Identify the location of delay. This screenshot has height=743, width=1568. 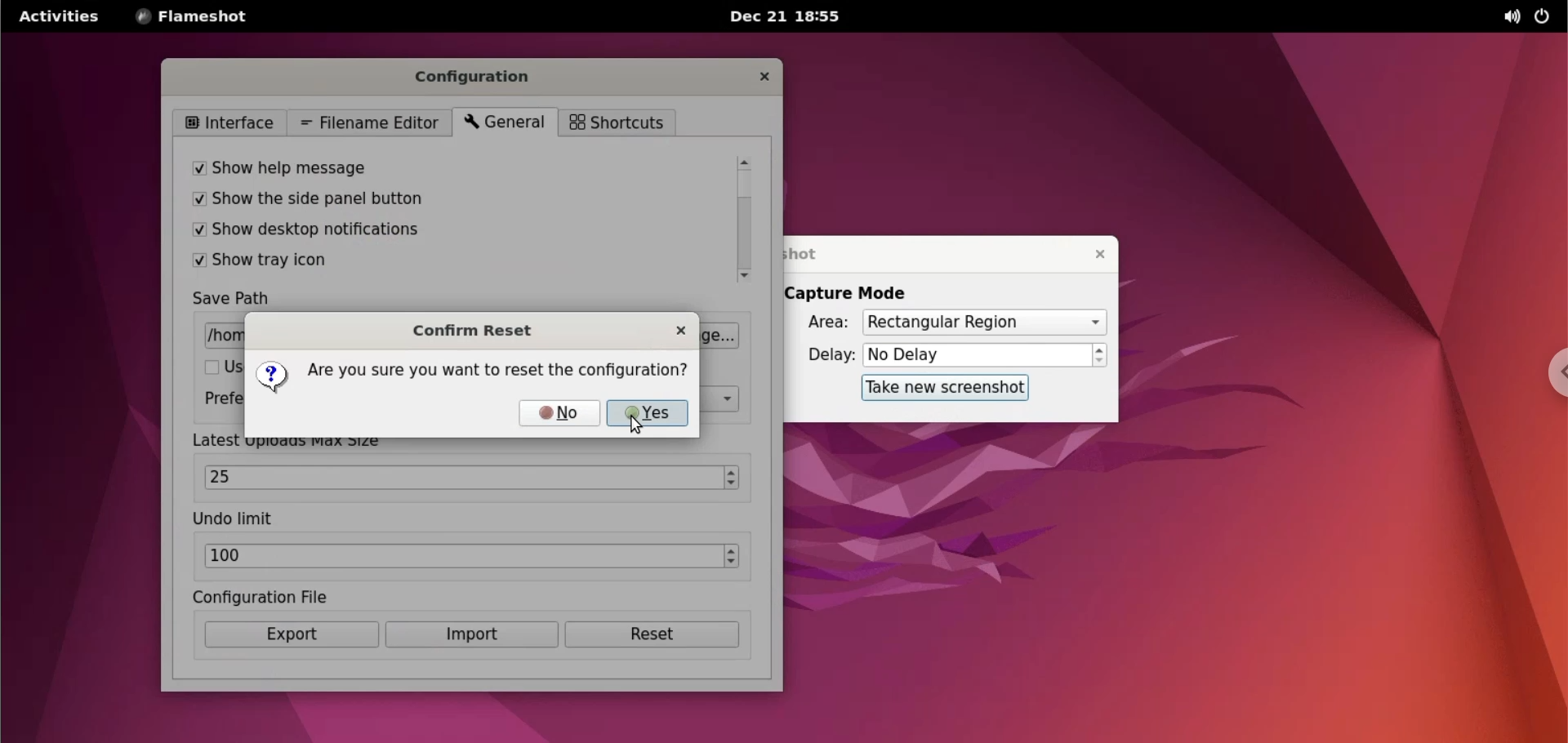
(825, 354).